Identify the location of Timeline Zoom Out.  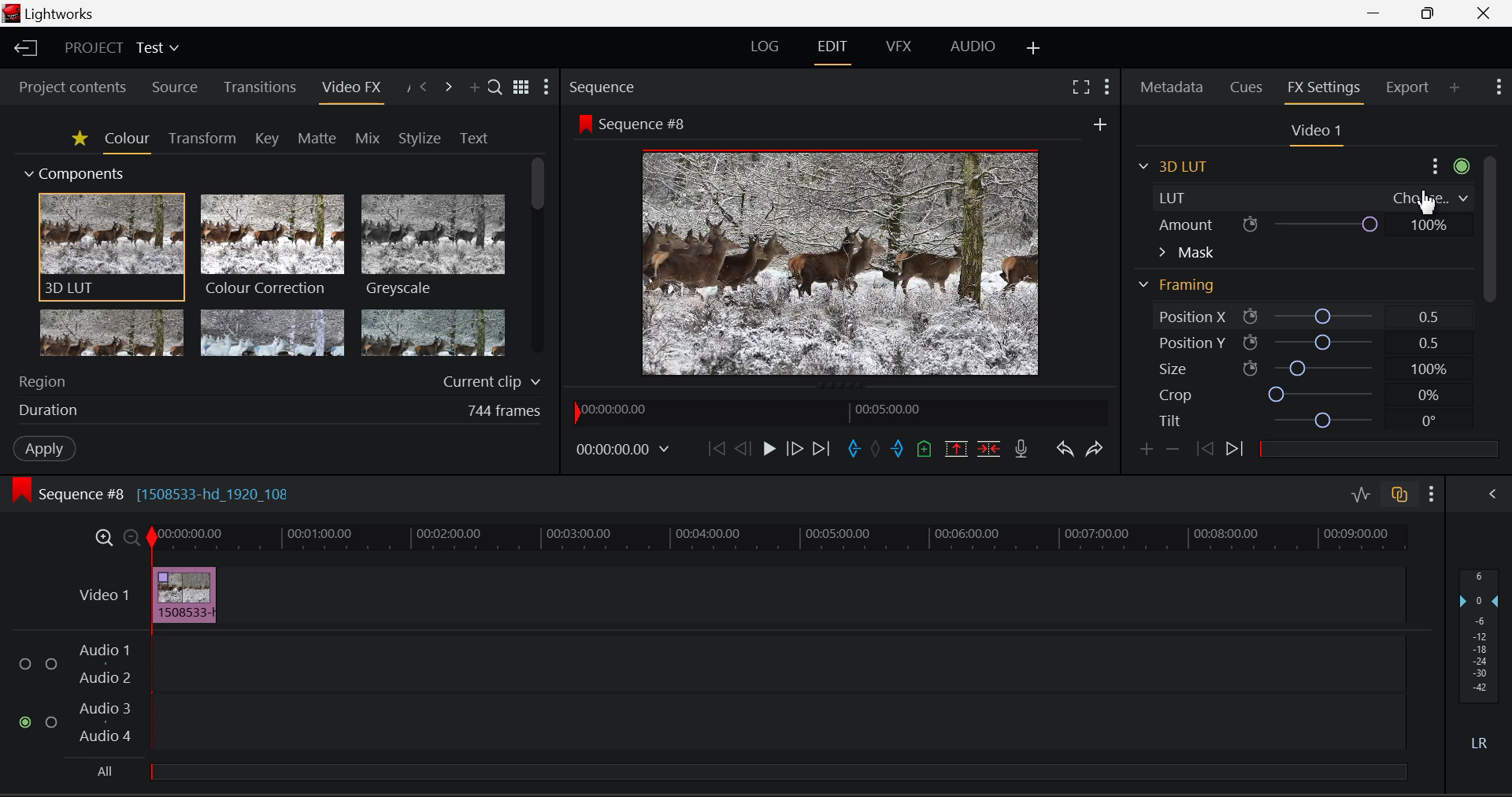
(131, 537).